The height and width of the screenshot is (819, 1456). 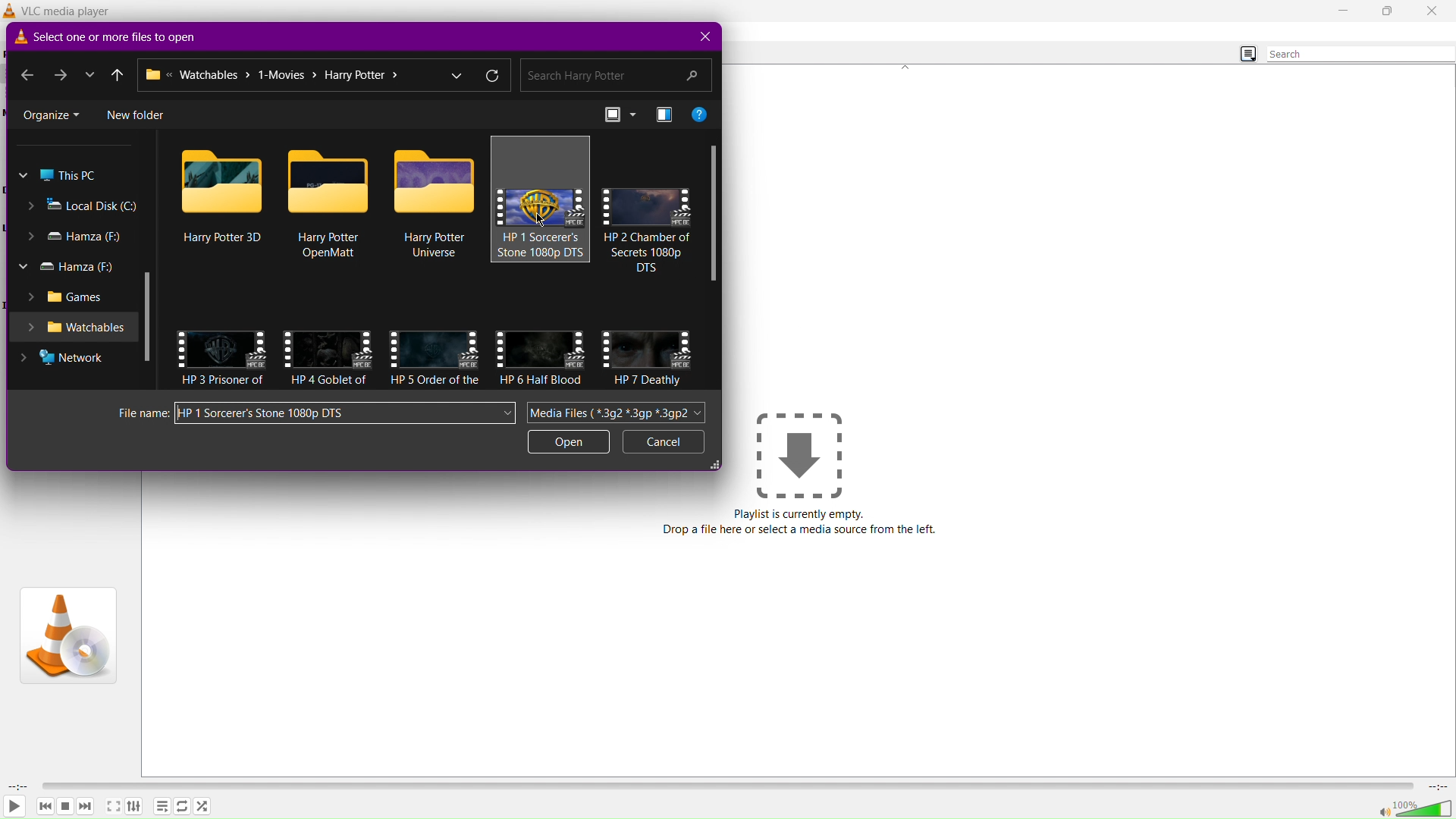 I want to click on spend time, so click(x=15, y=786).